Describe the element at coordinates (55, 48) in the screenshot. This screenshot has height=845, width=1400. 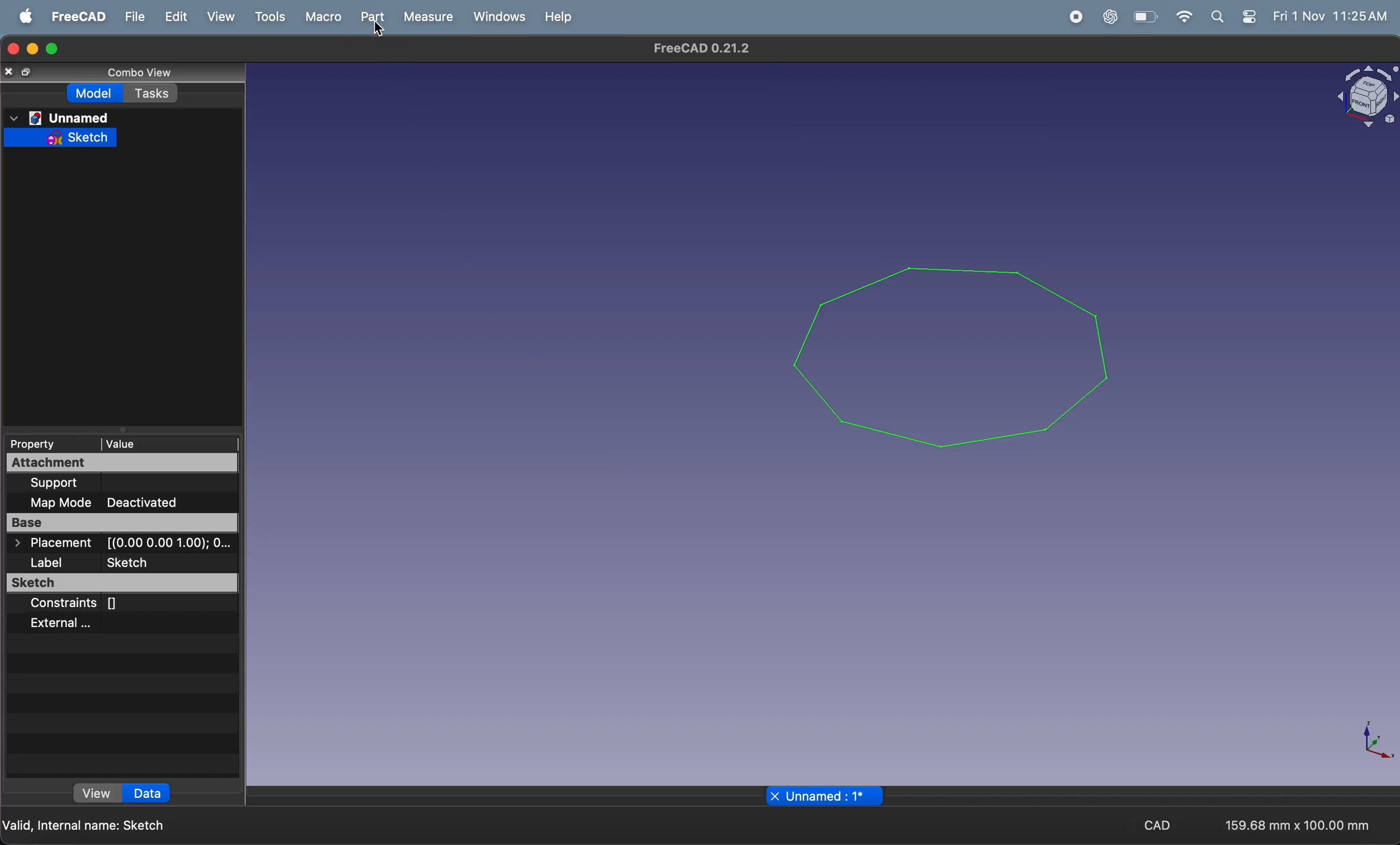
I see `maximize` at that location.